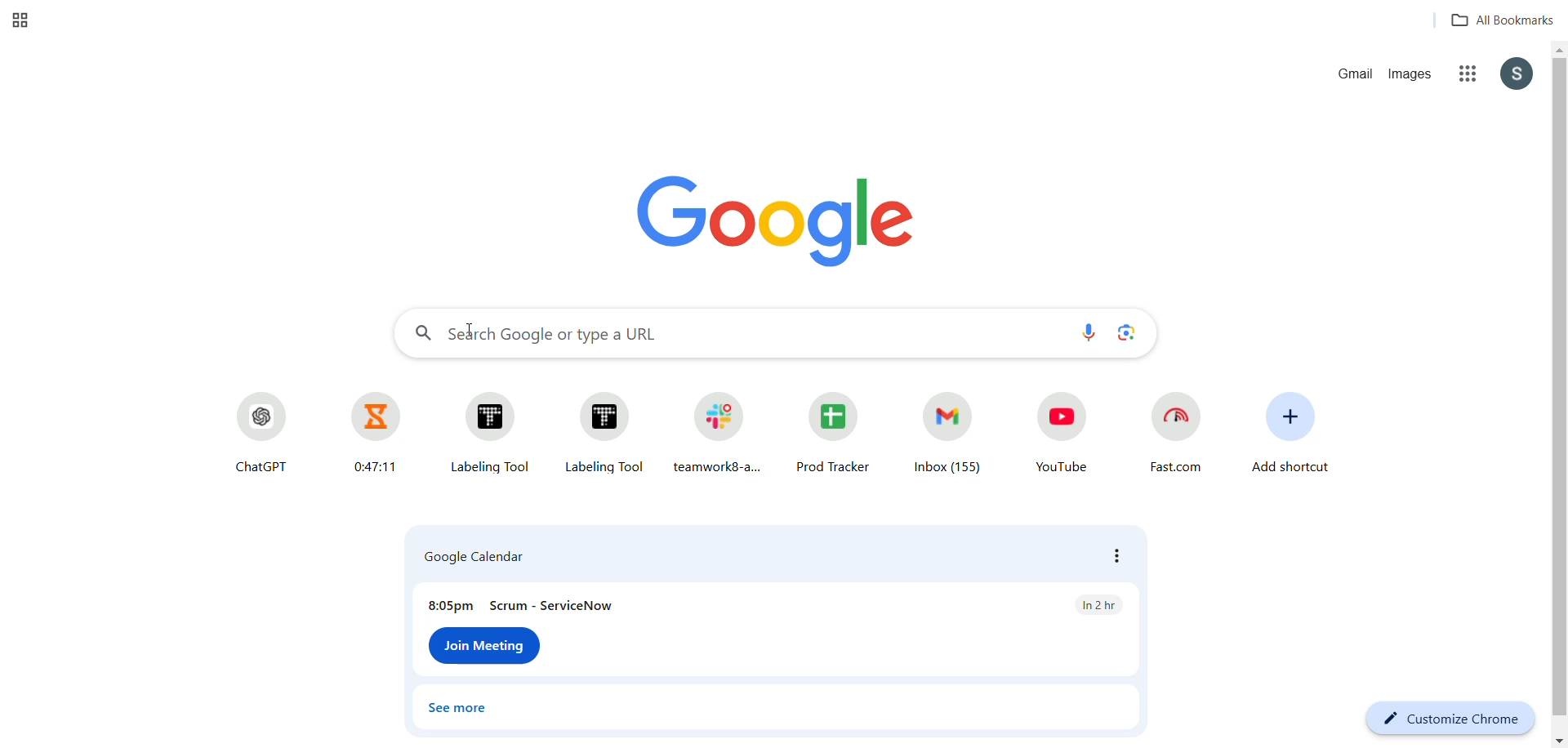 The height and width of the screenshot is (748, 1568). What do you see at coordinates (1517, 75) in the screenshot?
I see `google id options` at bounding box center [1517, 75].